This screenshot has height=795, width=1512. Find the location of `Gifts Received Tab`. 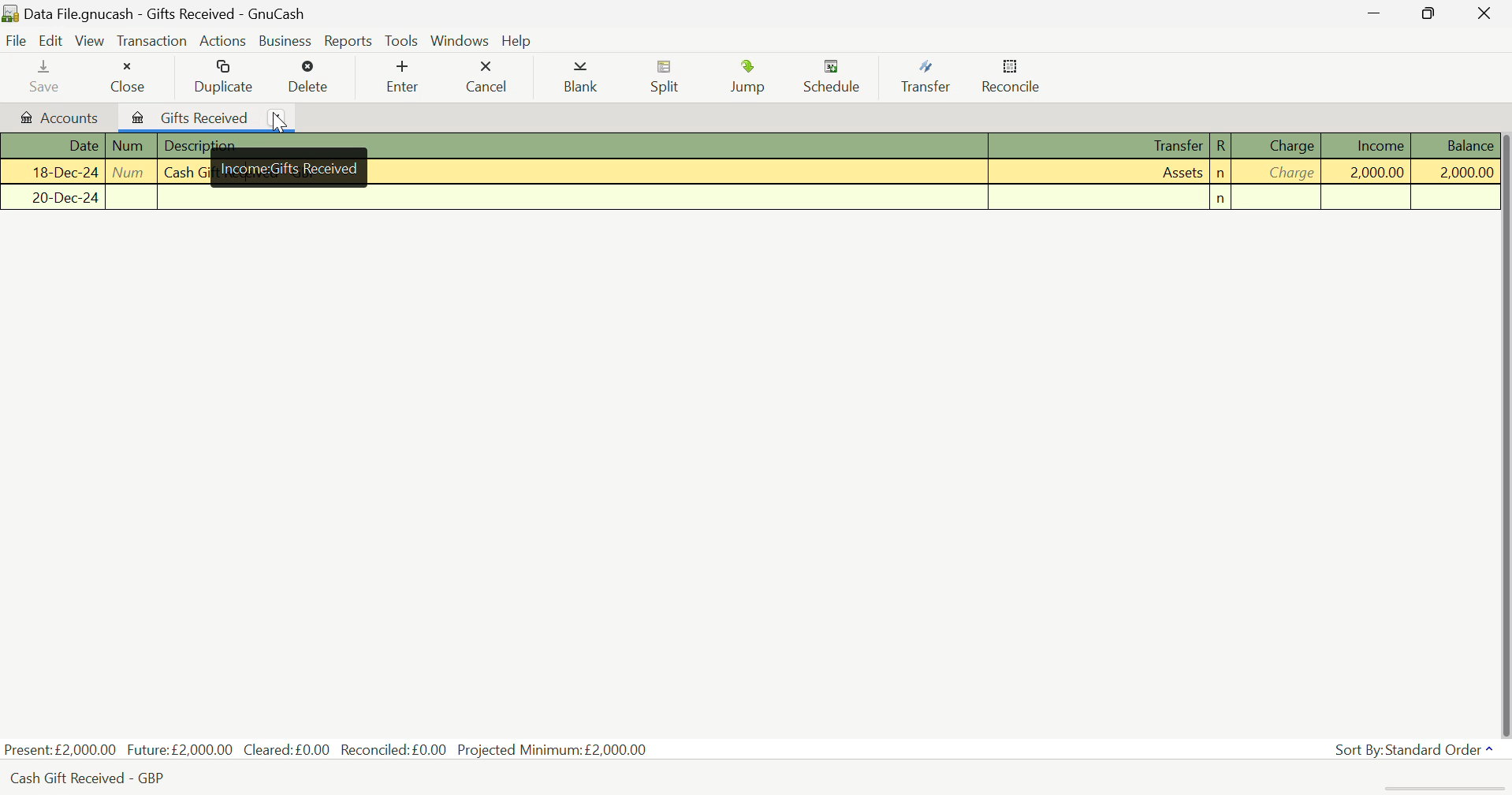

Gifts Received Tab is located at coordinates (187, 115).